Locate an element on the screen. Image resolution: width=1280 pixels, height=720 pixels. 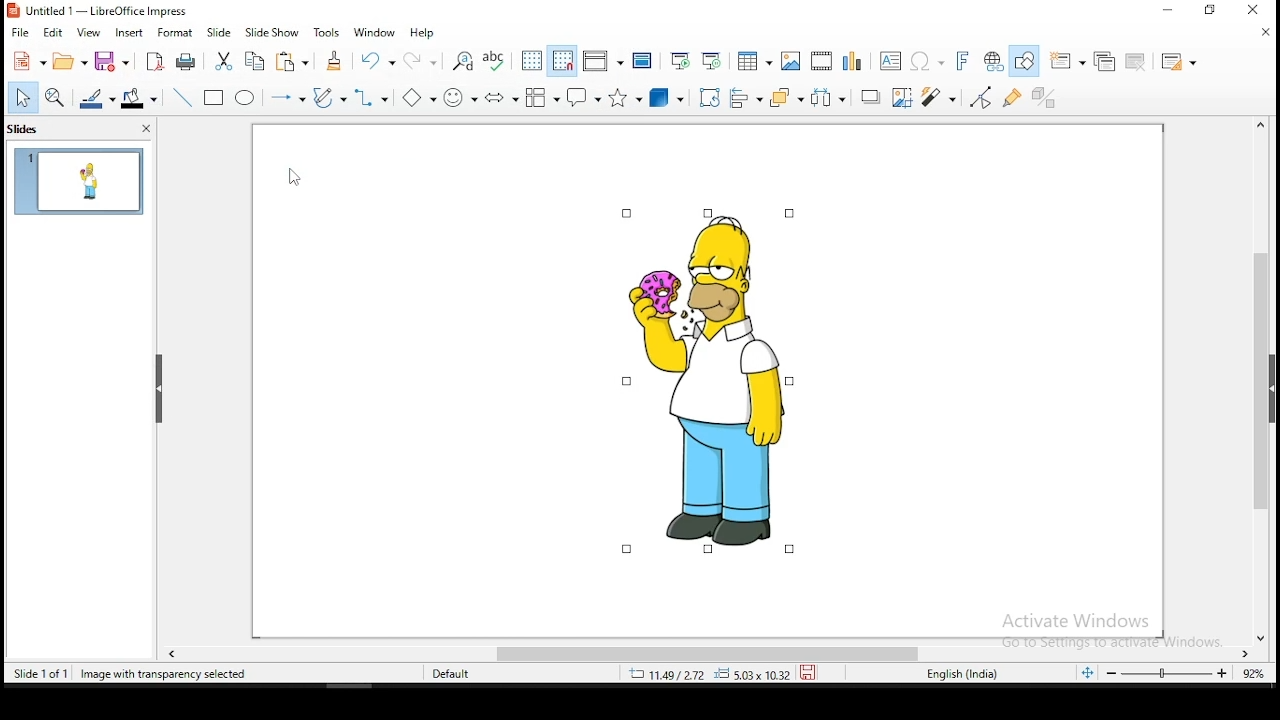
scroll bar is located at coordinates (1262, 382).